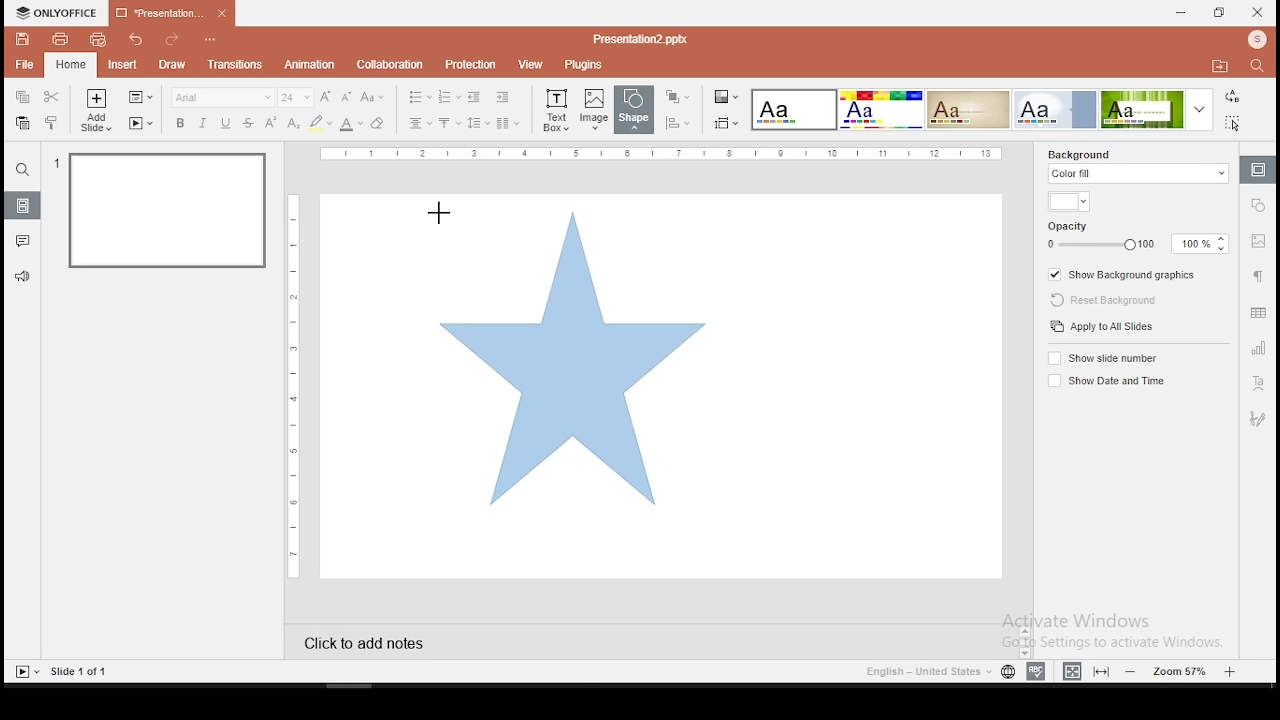 The width and height of the screenshot is (1280, 720). Describe the element at coordinates (676, 97) in the screenshot. I see `arrange shapes` at that location.